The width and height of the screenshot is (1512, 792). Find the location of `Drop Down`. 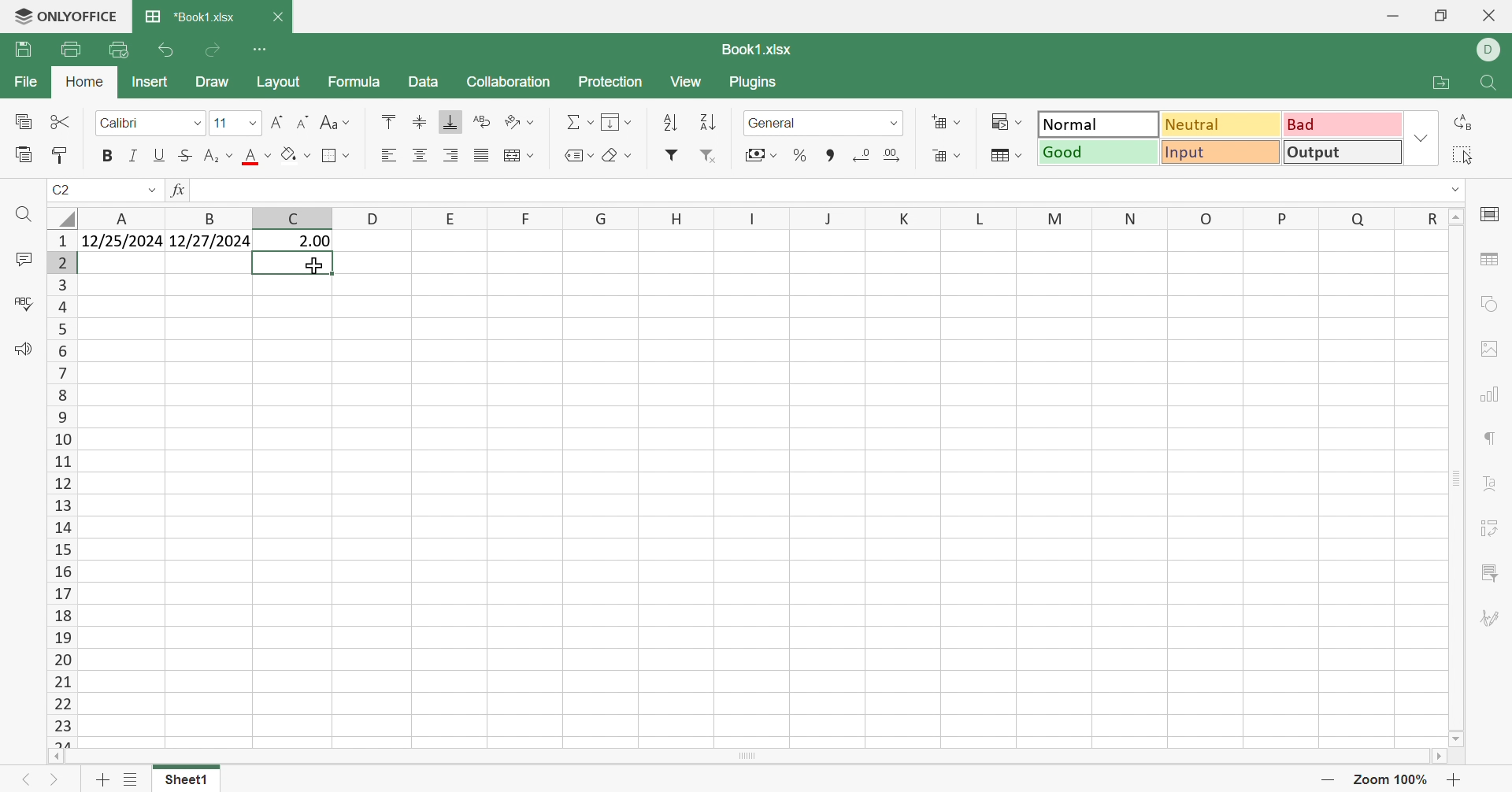

Drop Down is located at coordinates (198, 127).